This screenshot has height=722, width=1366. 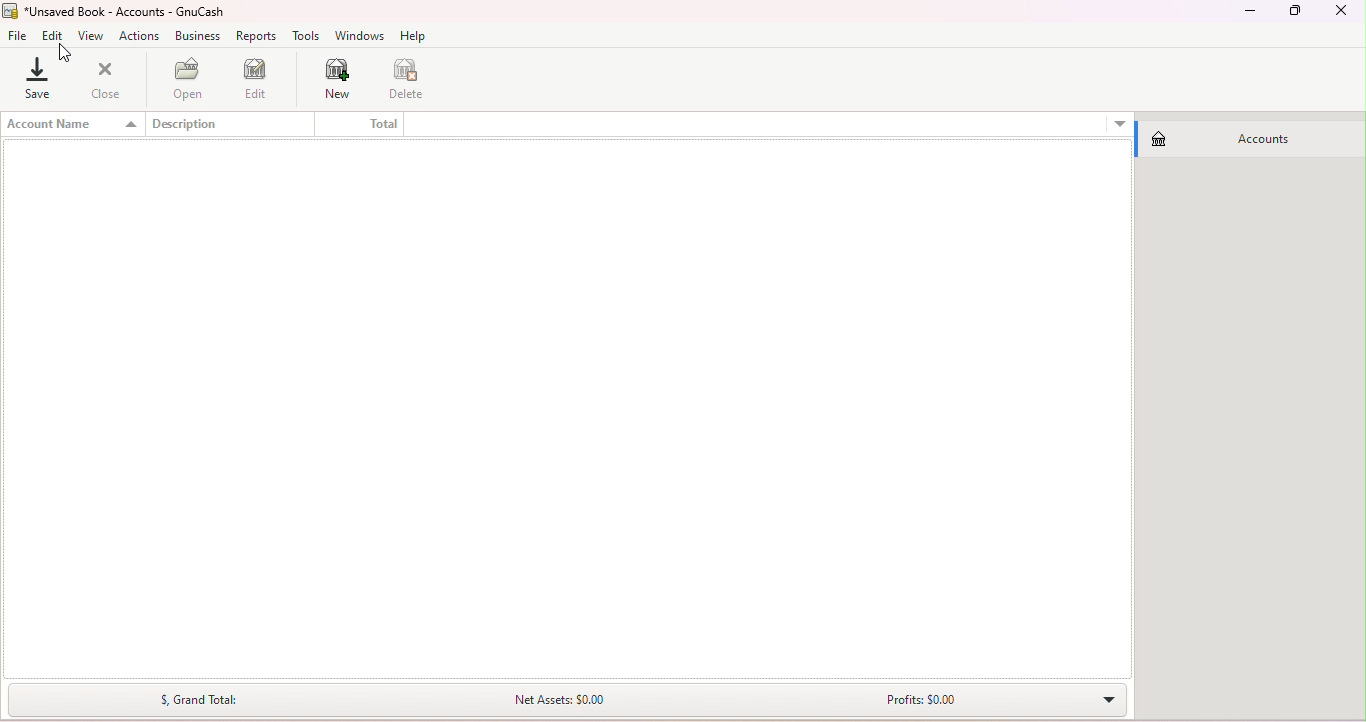 I want to click on Business, so click(x=194, y=36).